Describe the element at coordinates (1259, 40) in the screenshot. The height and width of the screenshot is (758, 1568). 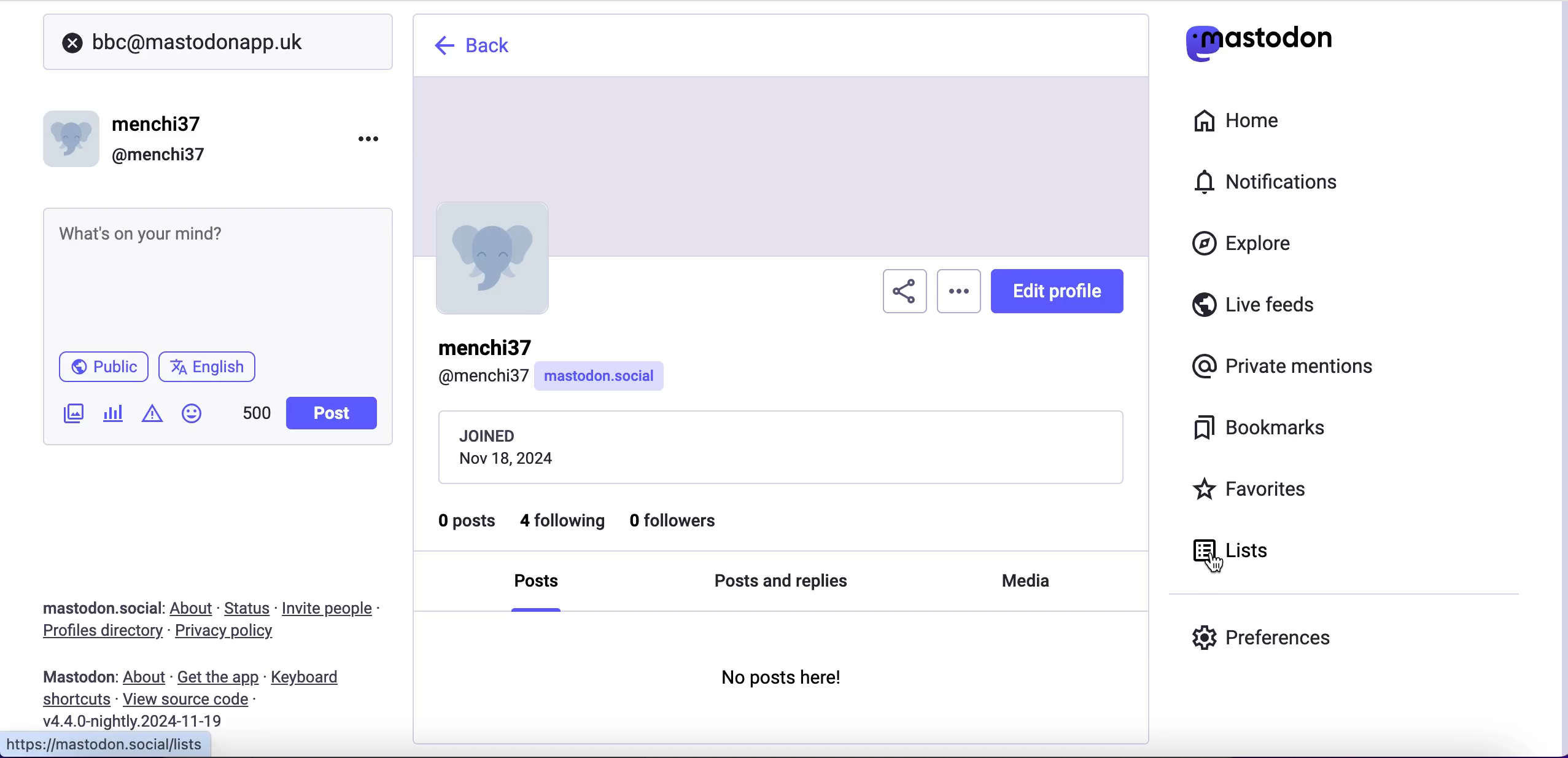
I see `mastodon logo` at that location.